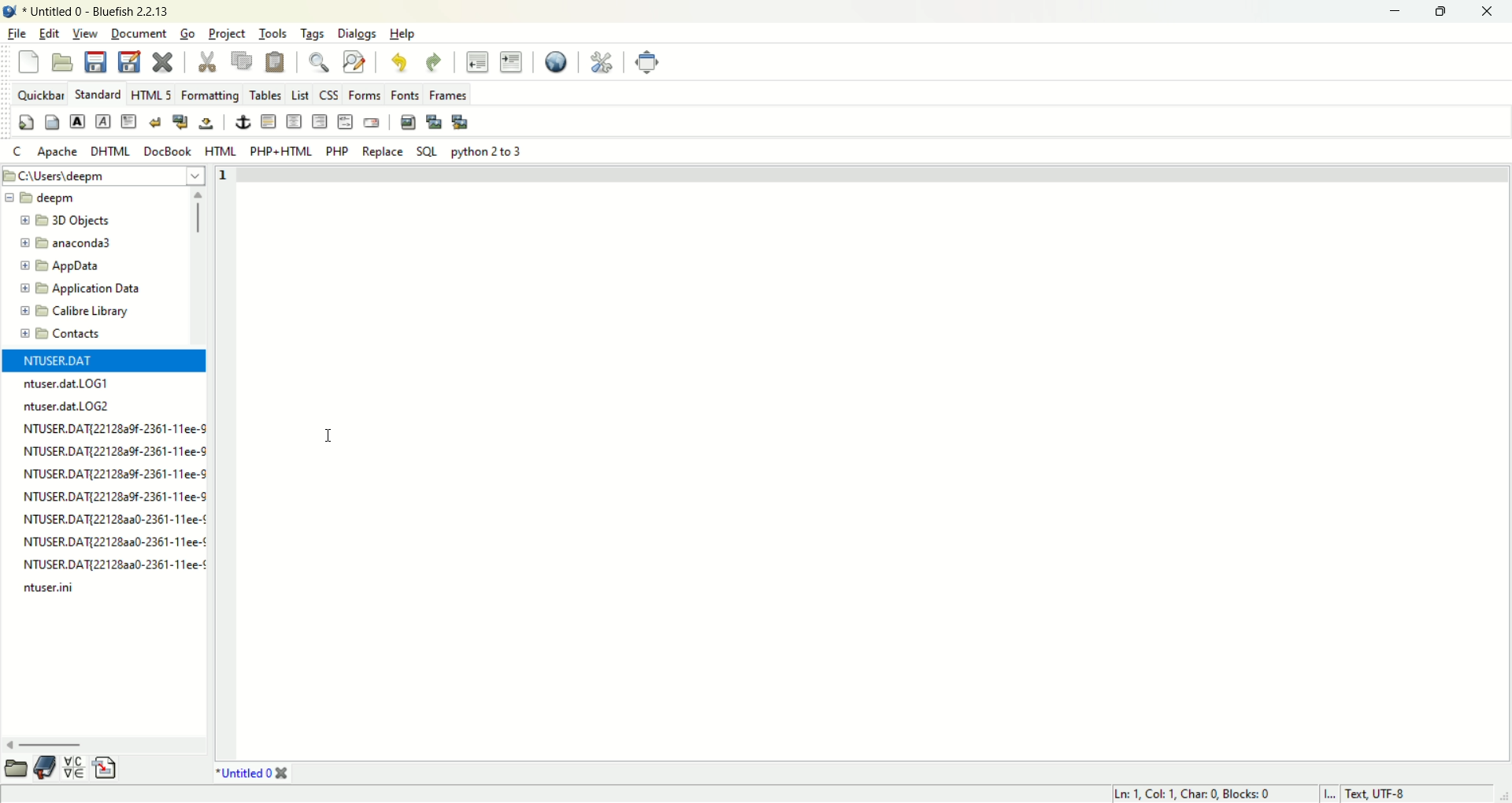 This screenshot has width=1512, height=803. Describe the element at coordinates (356, 34) in the screenshot. I see `dialogs` at that location.